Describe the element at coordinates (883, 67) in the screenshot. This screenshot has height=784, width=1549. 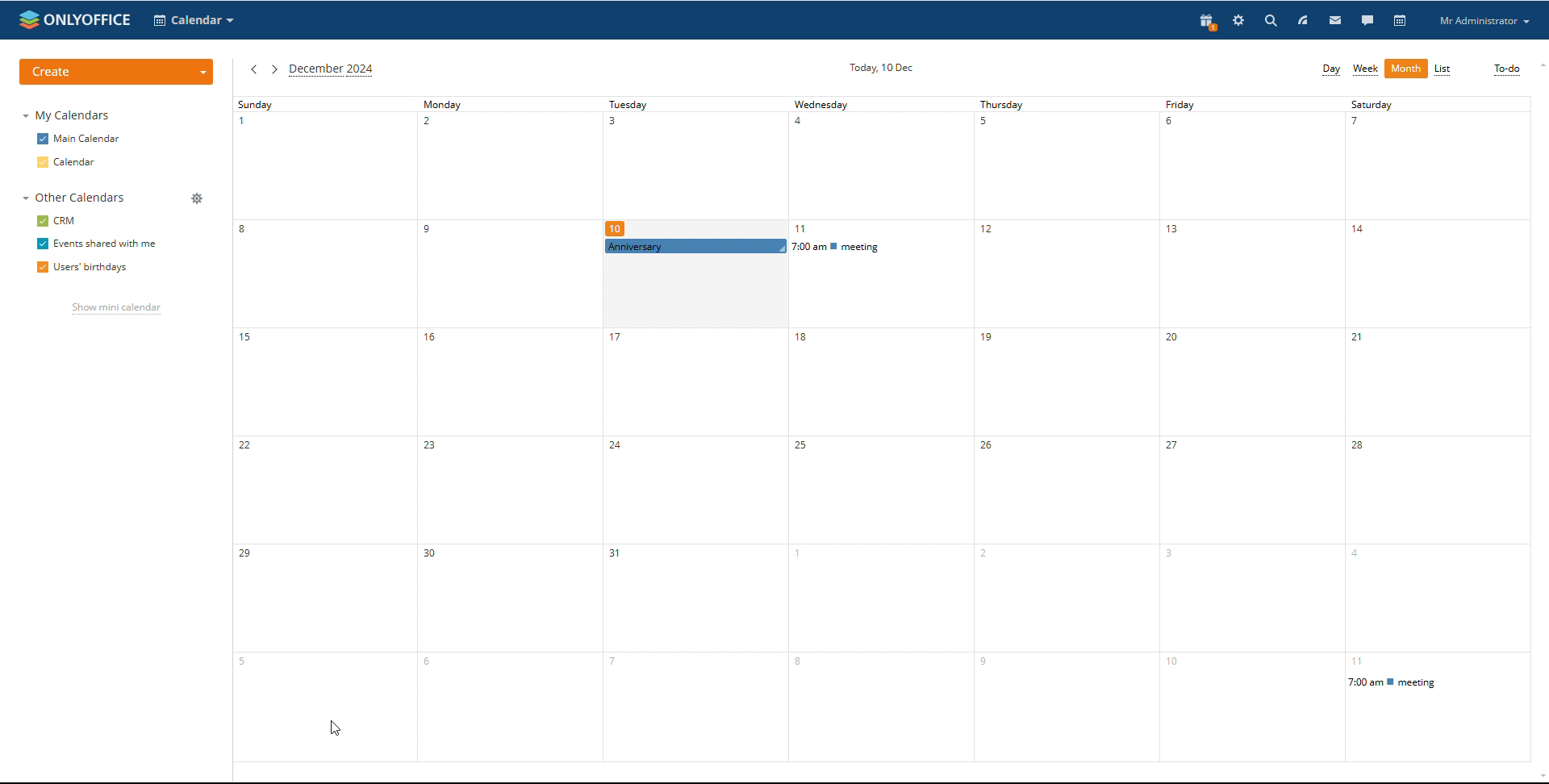
I see `current date` at that location.